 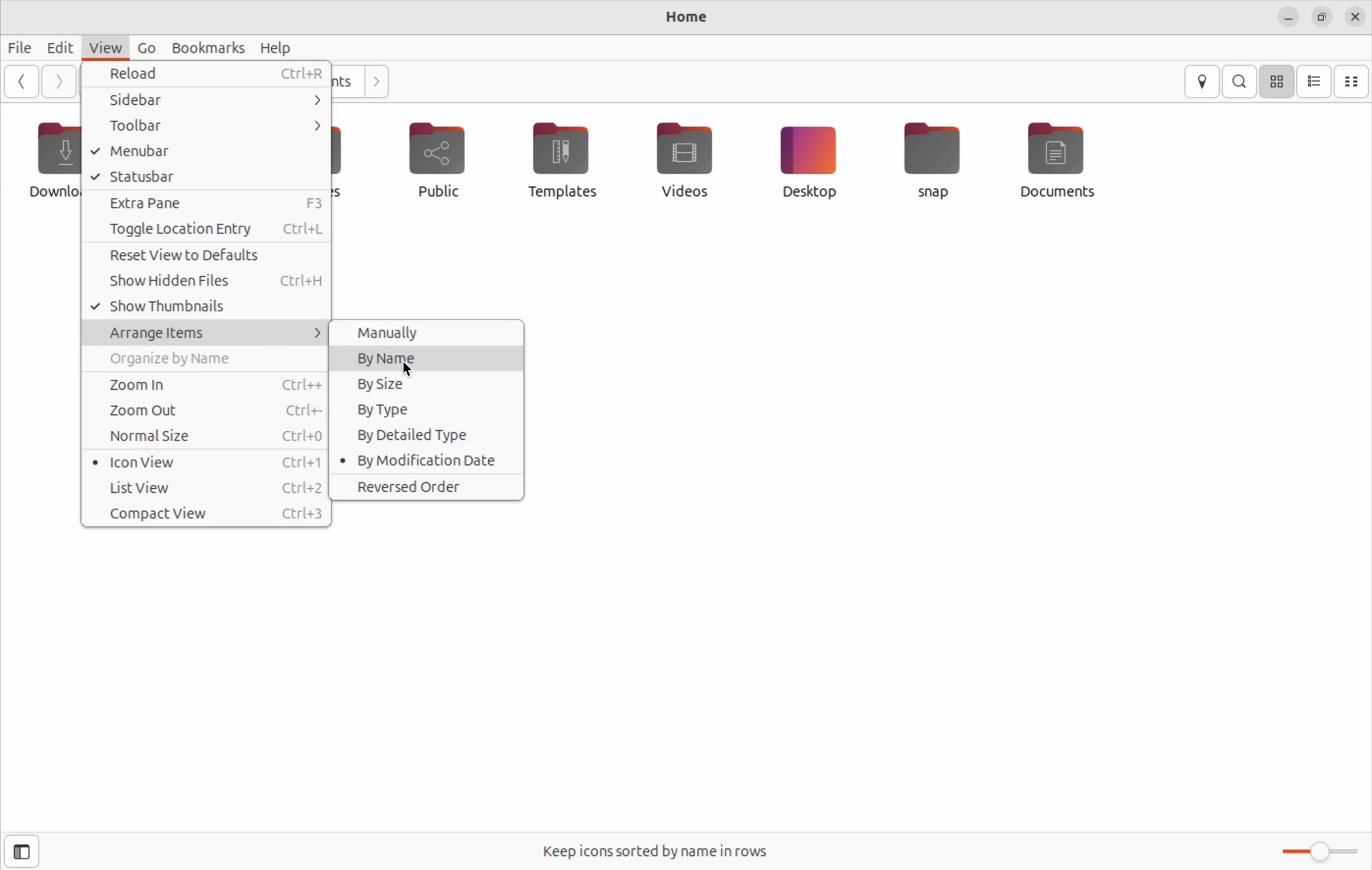 I want to click on extra pane, so click(x=209, y=203).